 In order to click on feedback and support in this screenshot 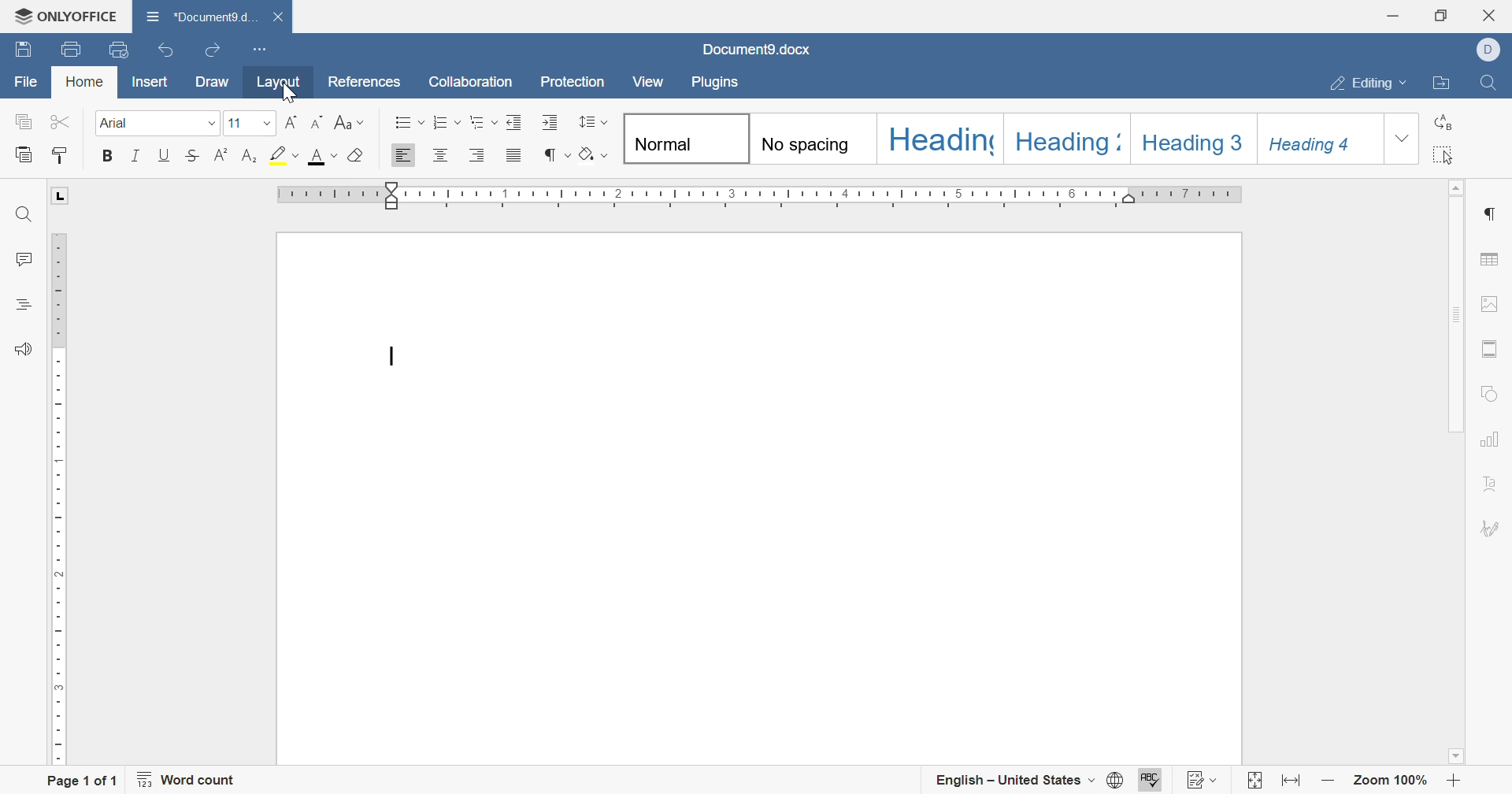, I will do `click(23, 350)`.